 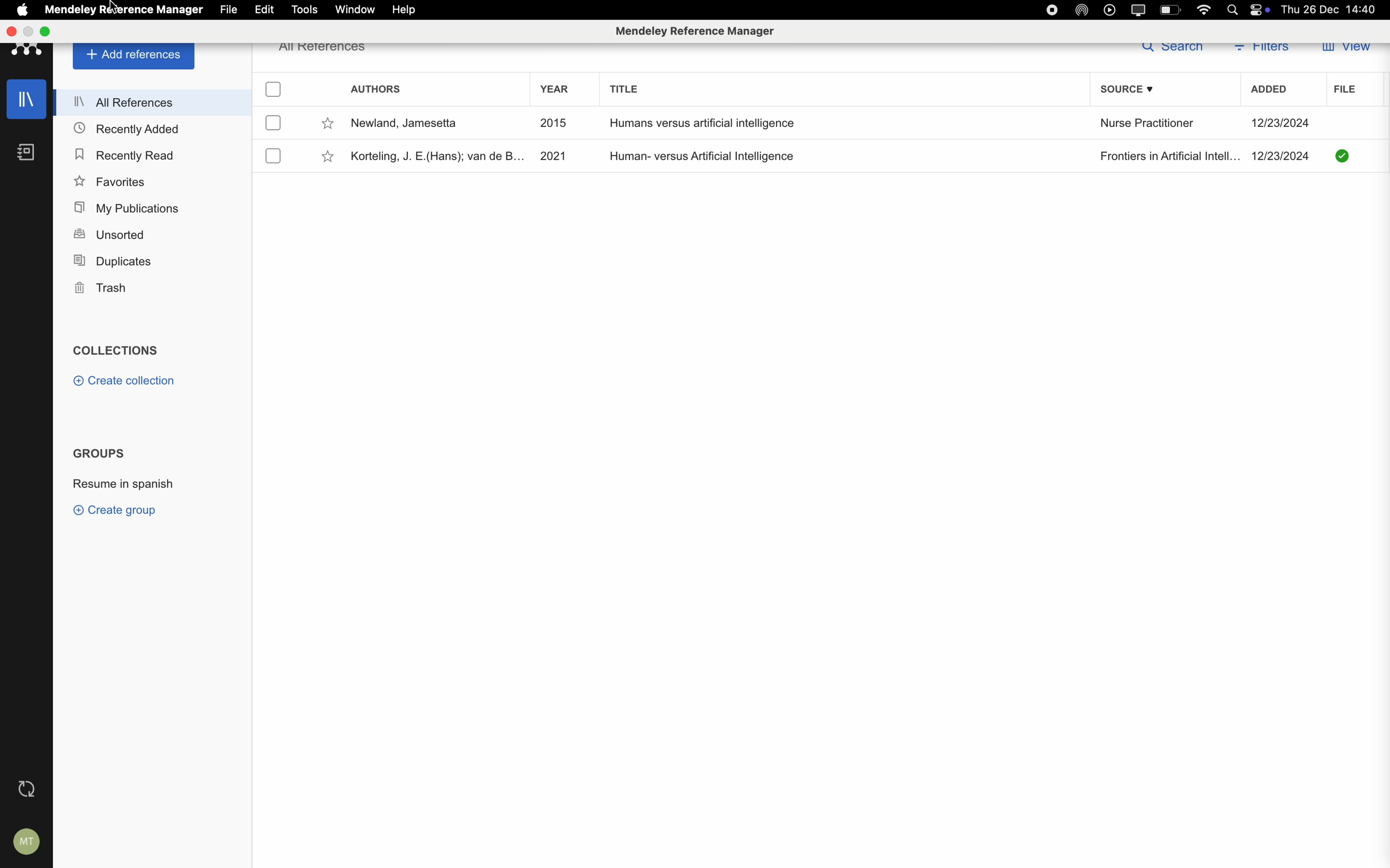 What do you see at coordinates (406, 123) in the screenshot?
I see `Newland, Jamesetta` at bounding box center [406, 123].